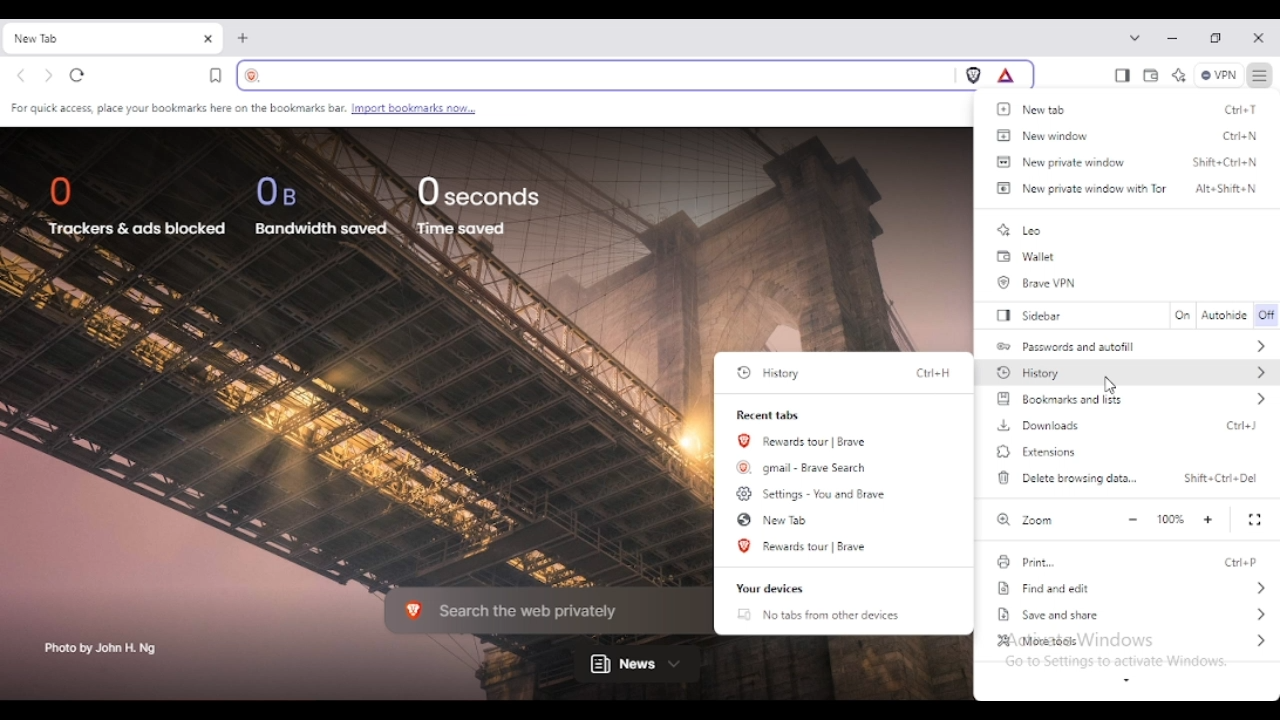  I want to click on 100%, so click(1170, 519).